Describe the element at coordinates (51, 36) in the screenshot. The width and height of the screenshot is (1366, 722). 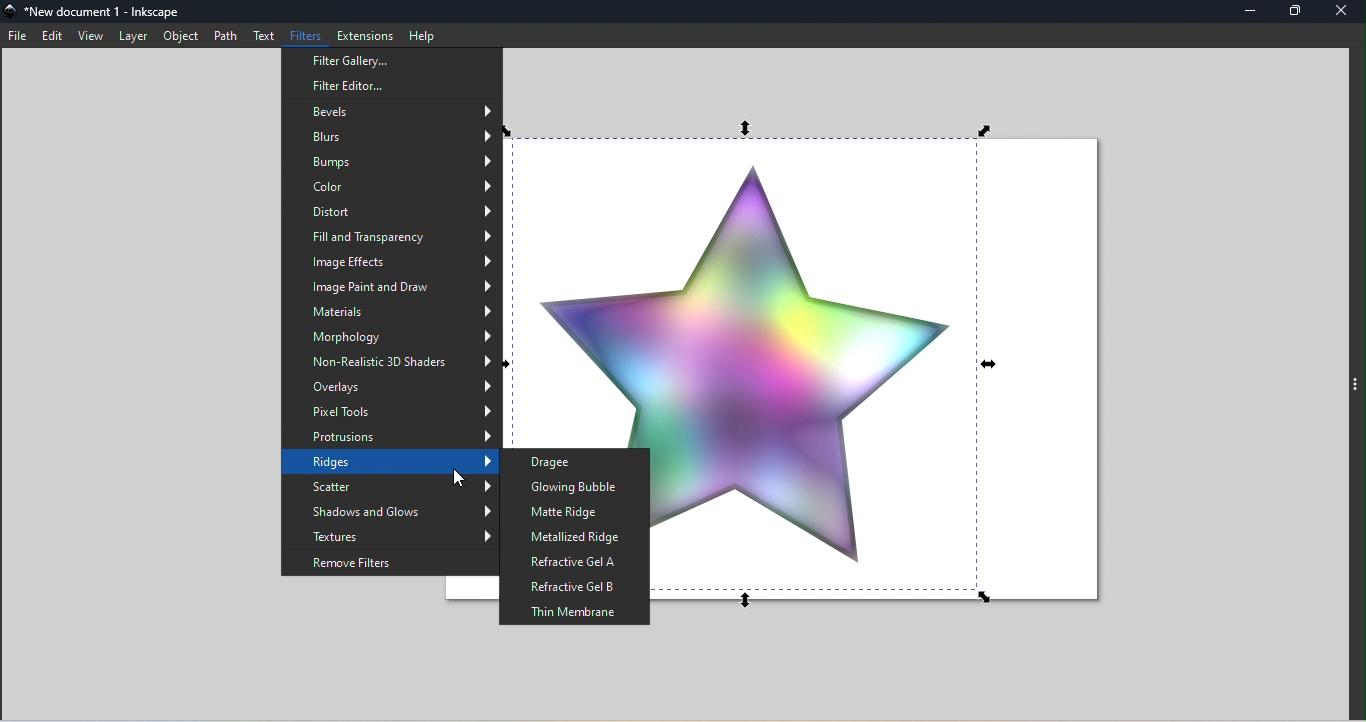
I see `Edit` at that location.